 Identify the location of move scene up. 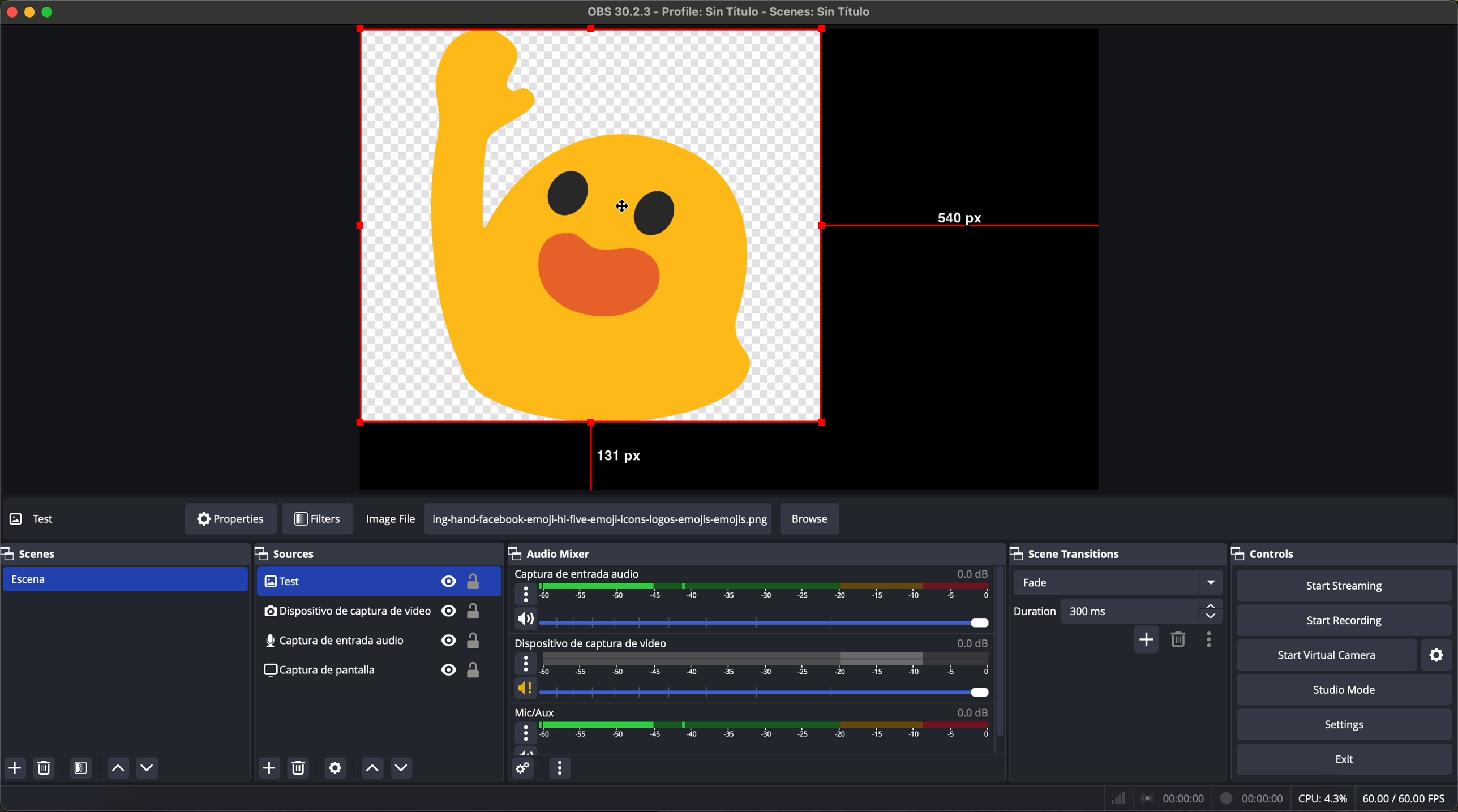
(118, 769).